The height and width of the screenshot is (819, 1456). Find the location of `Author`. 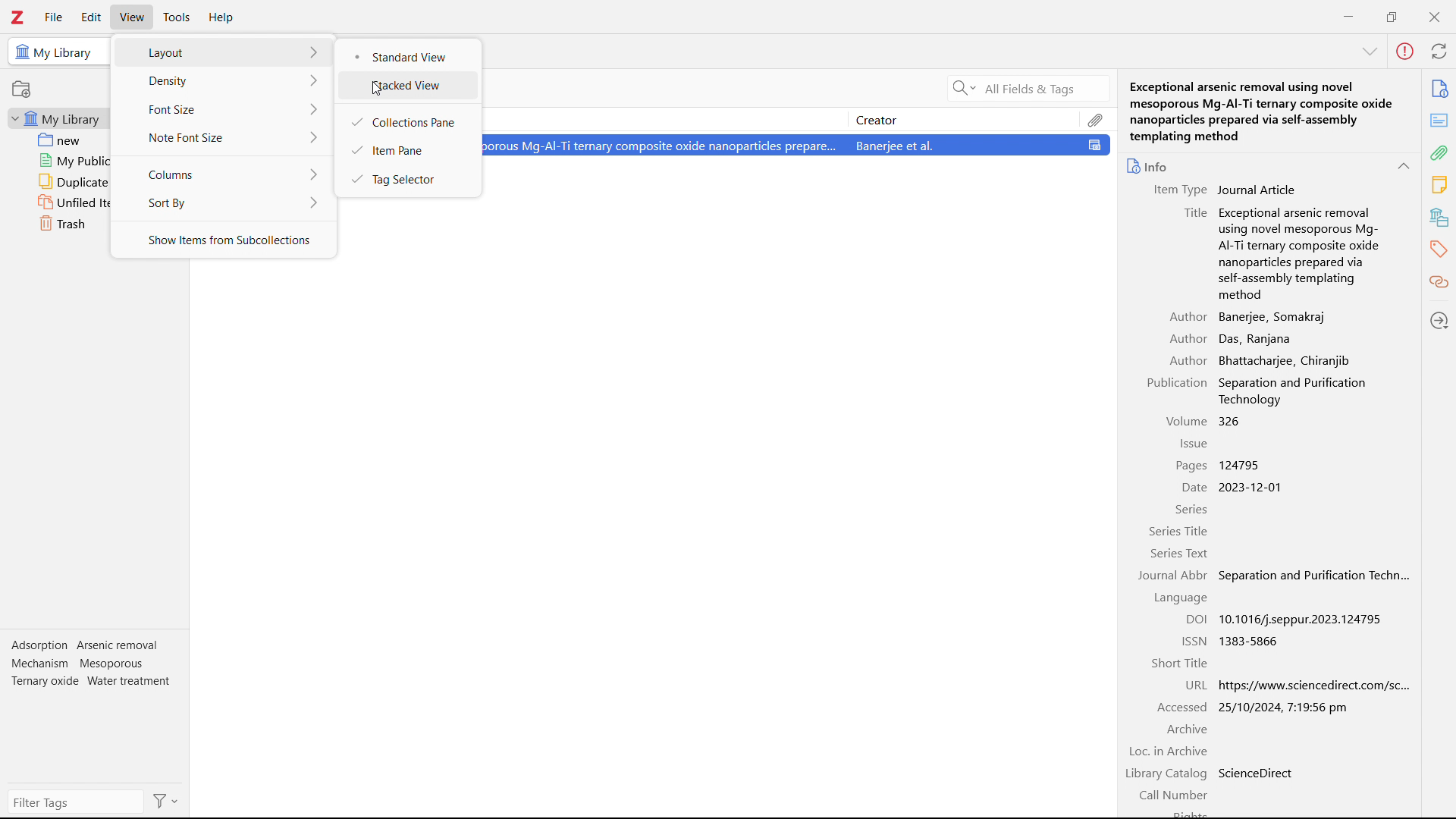

Author is located at coordinates (1188, 359).